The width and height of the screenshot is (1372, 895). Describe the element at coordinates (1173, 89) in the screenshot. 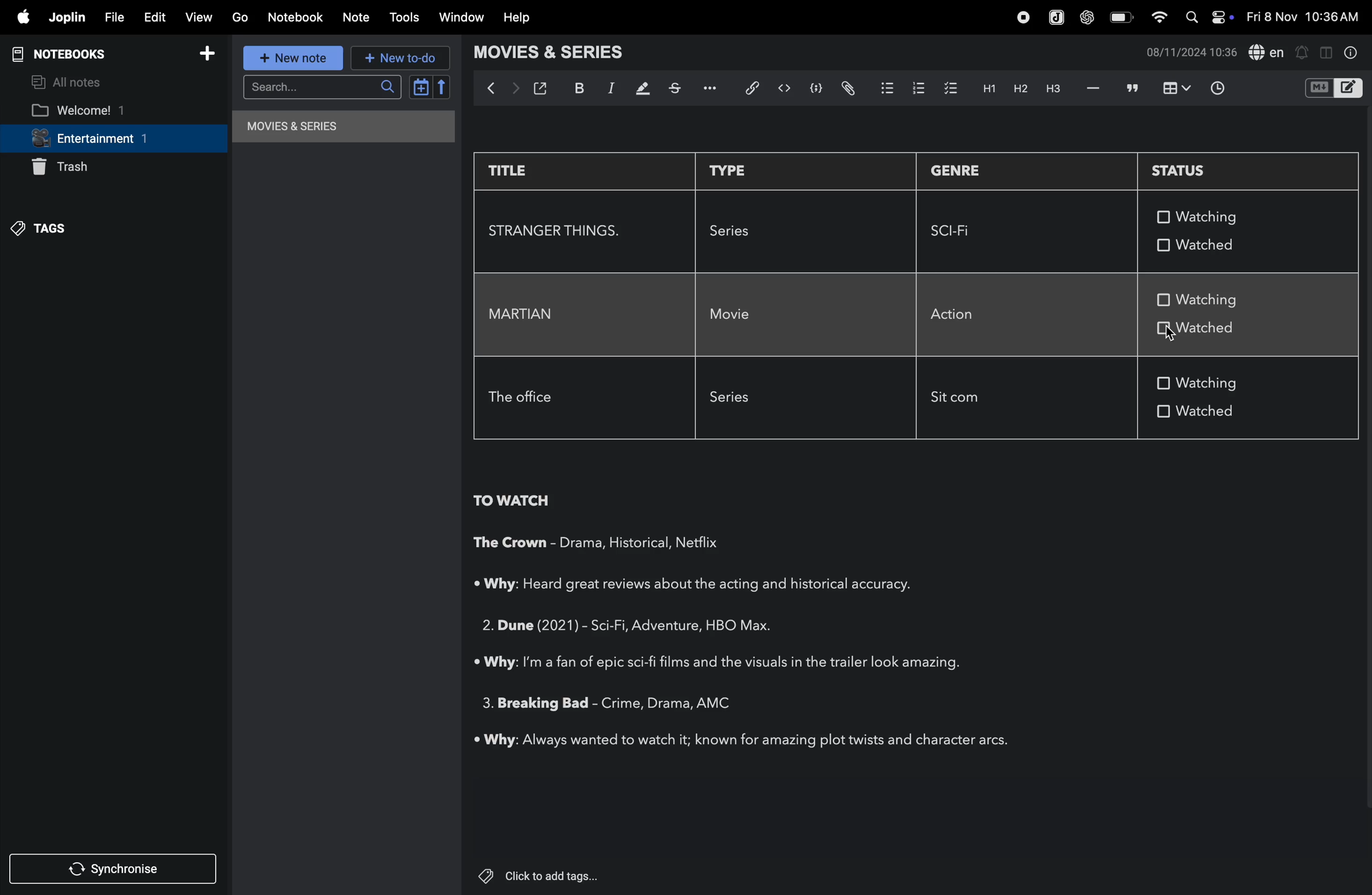

I see `table view` at that location.